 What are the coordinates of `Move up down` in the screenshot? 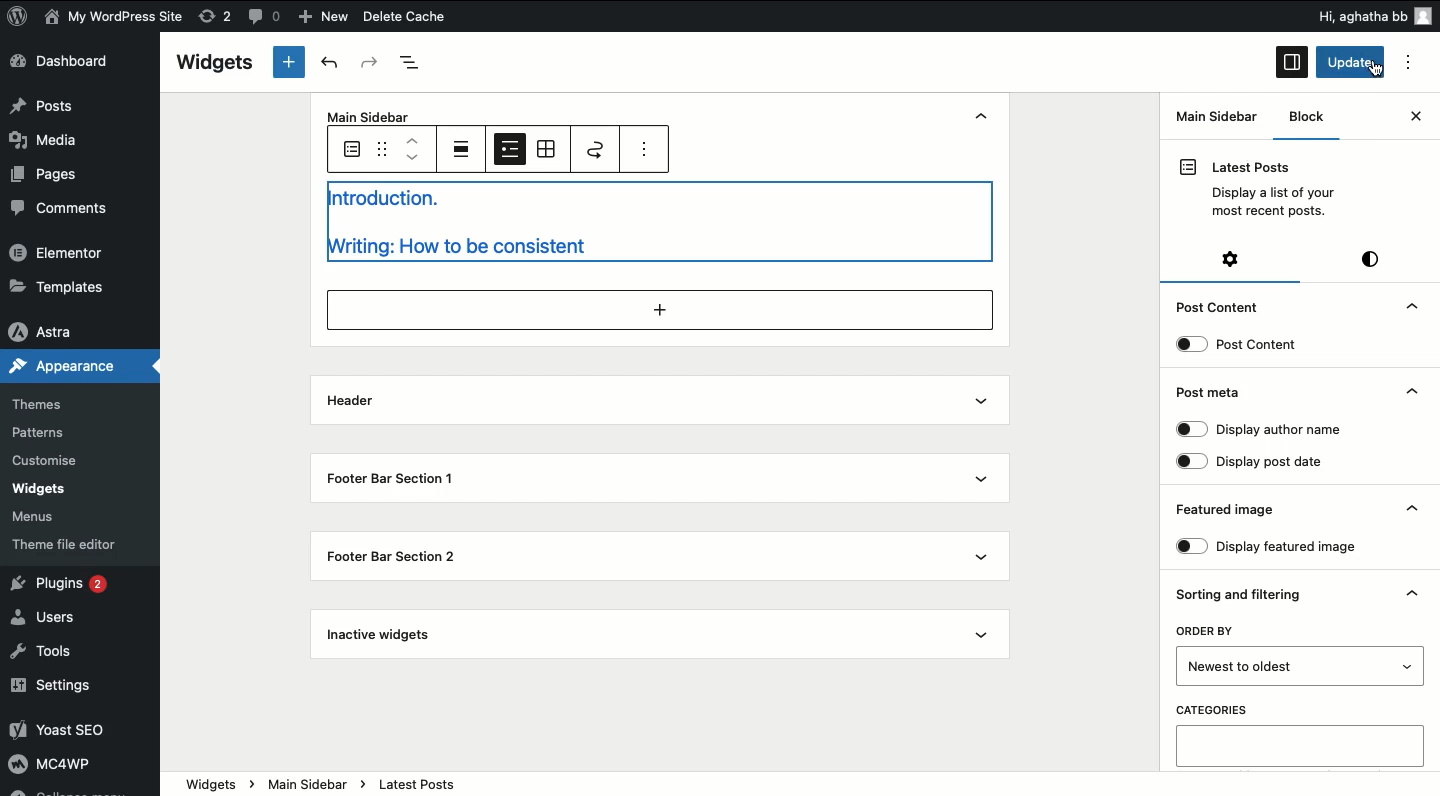 It's located at (413, 150).